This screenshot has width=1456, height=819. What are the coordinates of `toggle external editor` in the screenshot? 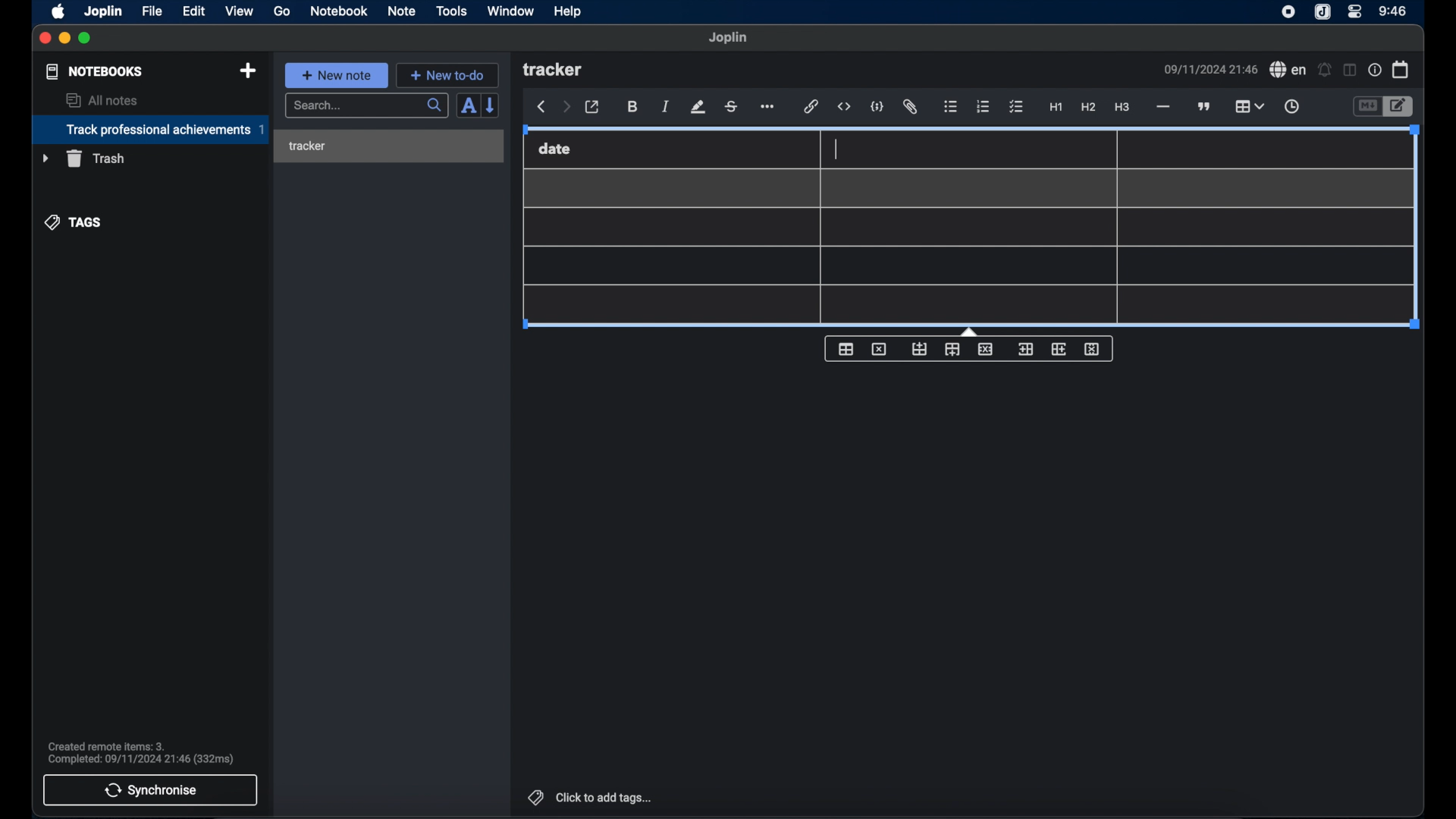 It's located at (592, 107).